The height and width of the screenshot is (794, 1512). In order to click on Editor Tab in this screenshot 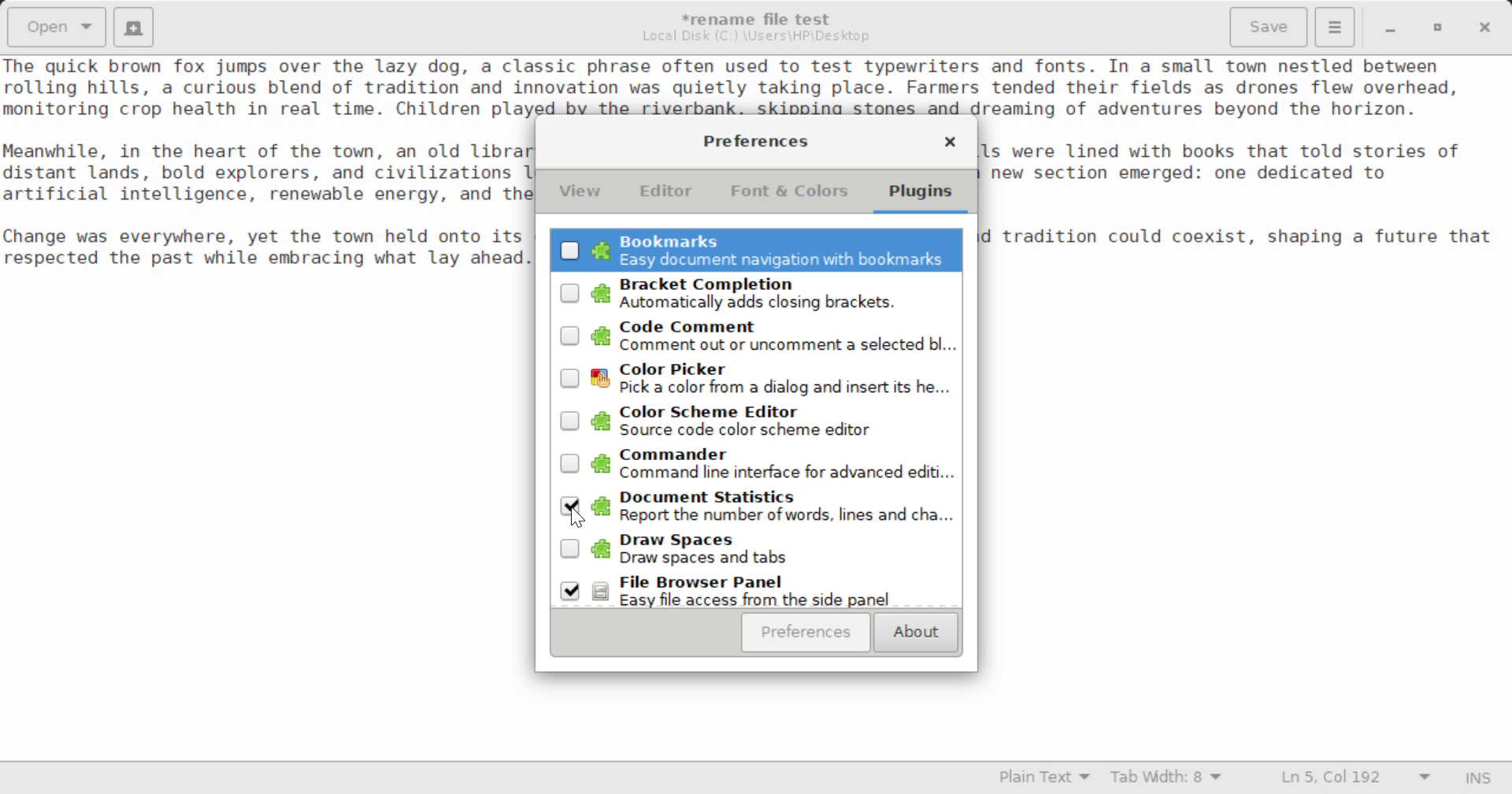, I will do `click(669, 195)`.